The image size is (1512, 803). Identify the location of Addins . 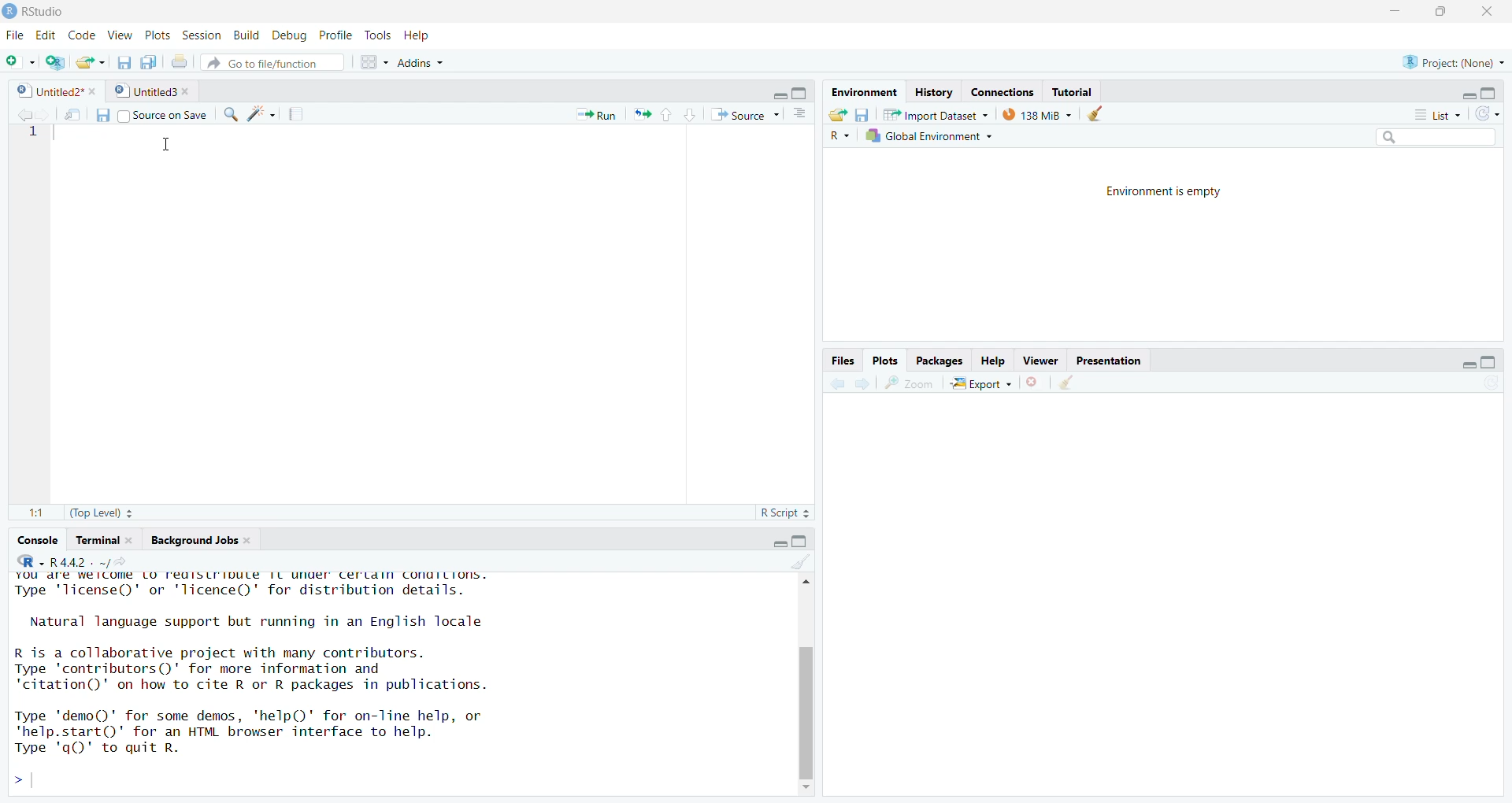
(466, 61).